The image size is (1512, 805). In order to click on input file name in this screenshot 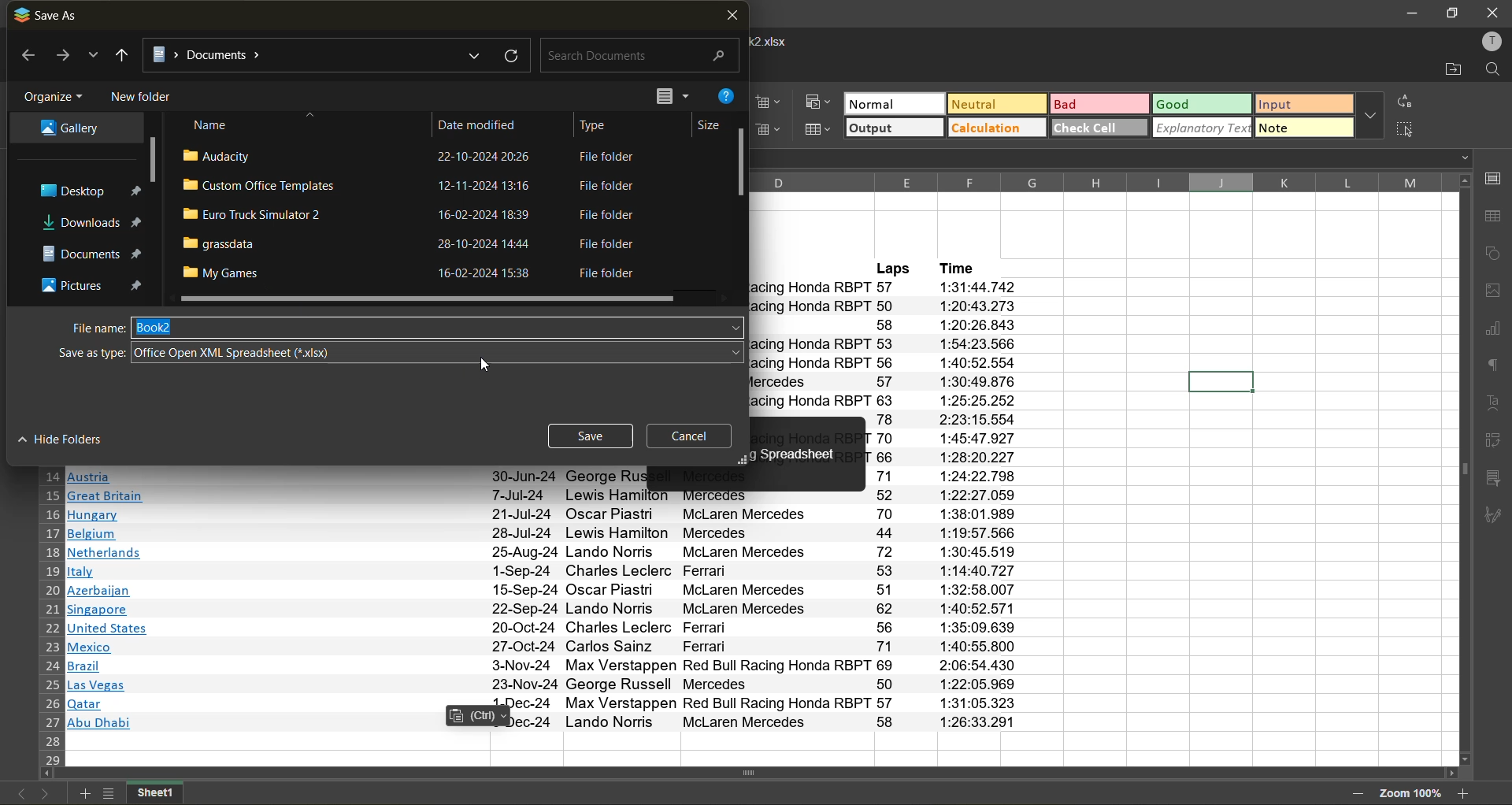, I will do `click(439, 327)`.